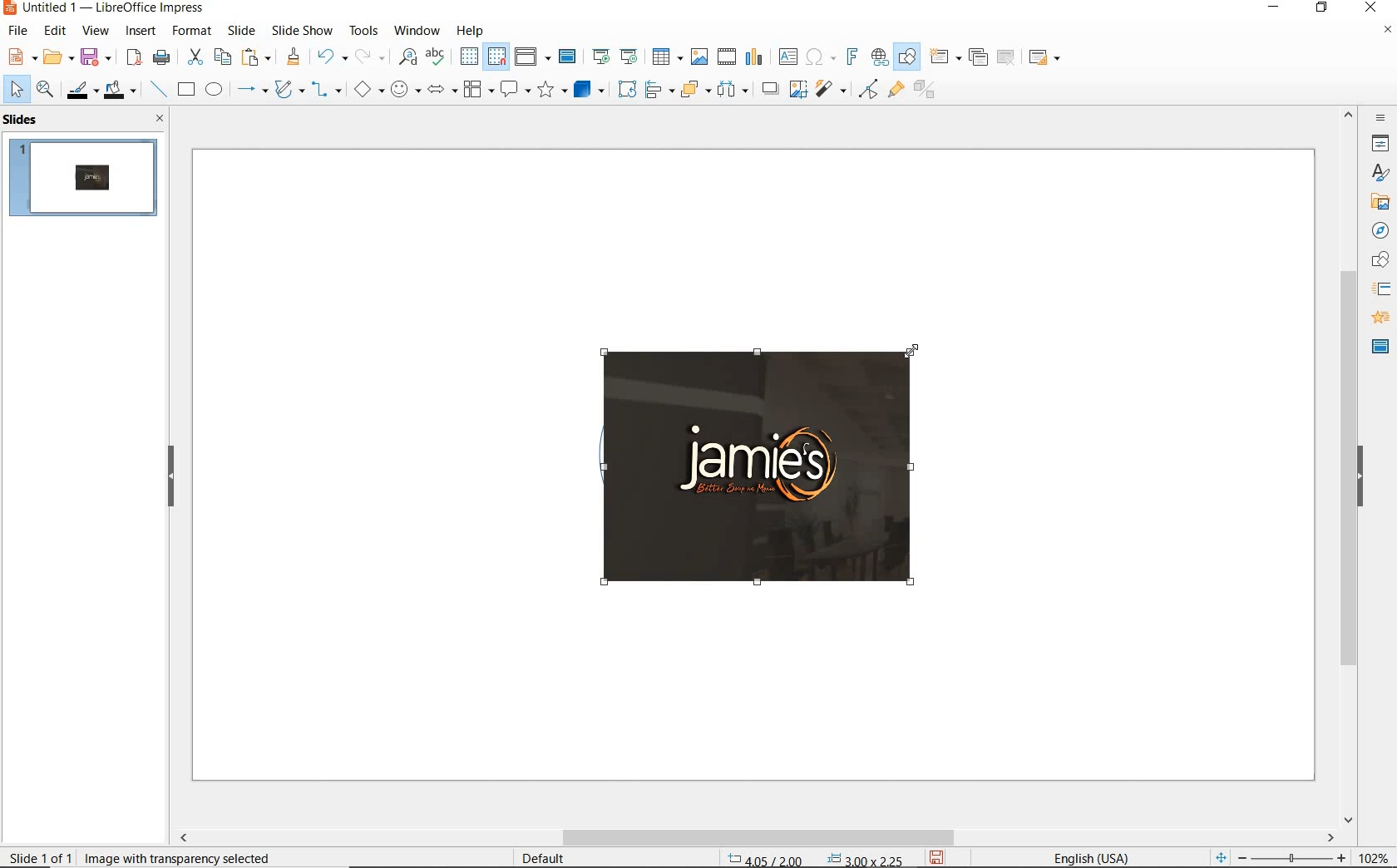 Image resolution: width=1397 pixels, height=868 pixels. I want to click on slide show, so click(301, 30).